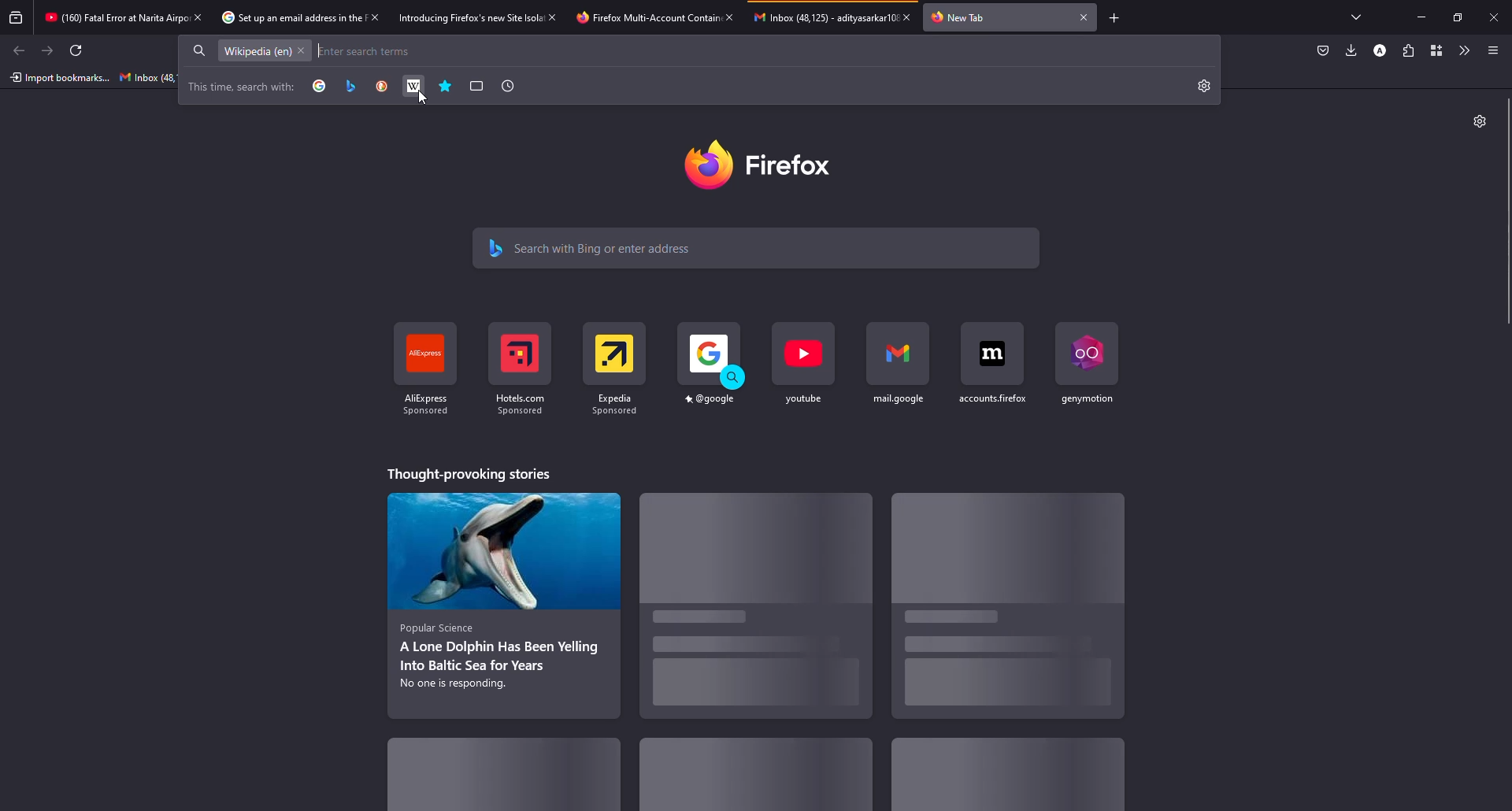 The image size is (1512, 811). I want to click on stories, so click(1004, 778).